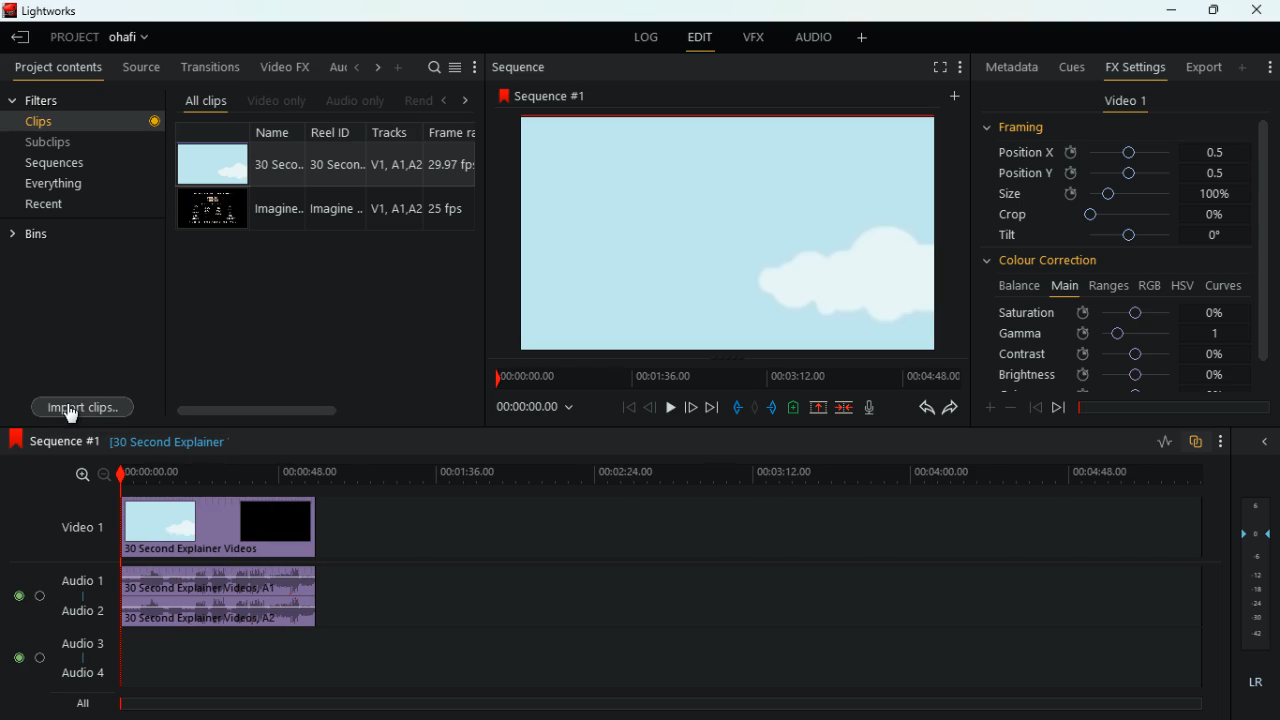 This screenshot has height=720, width=1280. What do you see at coordinates (1222, 442) in the screenshot?
I see `more` at bounding box center [1222, 442].